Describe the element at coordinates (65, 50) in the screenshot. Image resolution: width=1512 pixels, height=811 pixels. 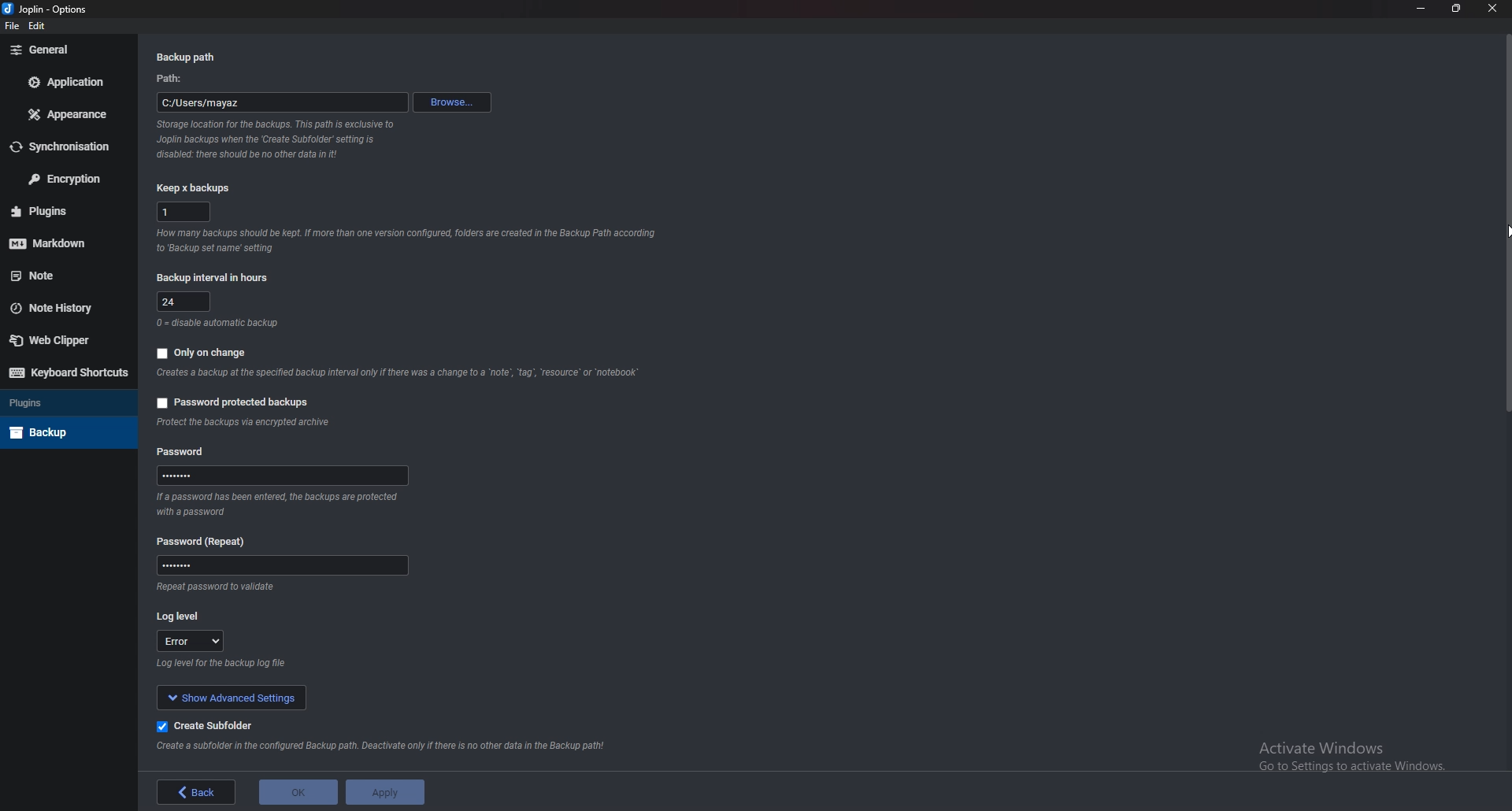
I see `General` at that location.